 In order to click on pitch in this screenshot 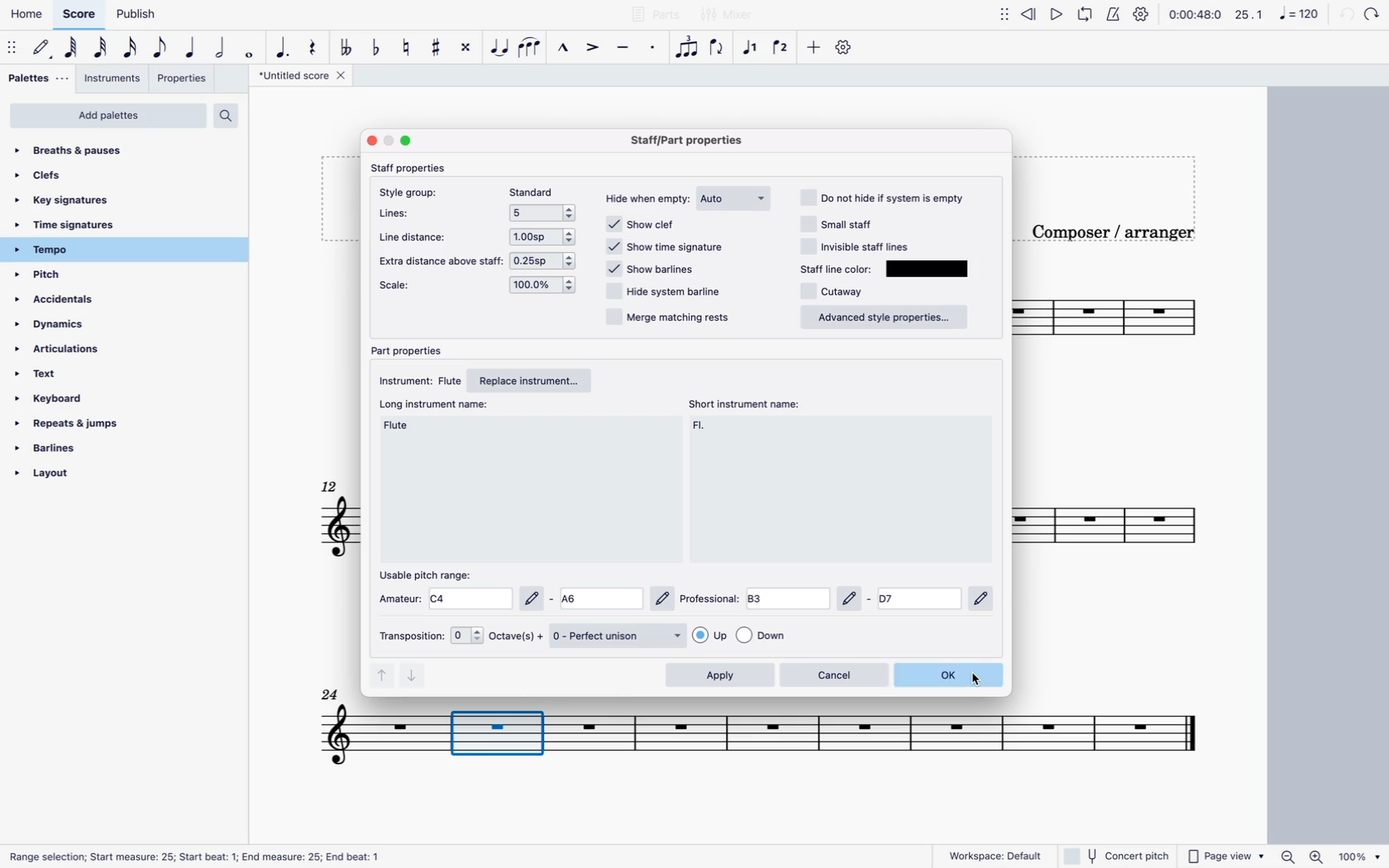, I will do `click(65, 276)`.